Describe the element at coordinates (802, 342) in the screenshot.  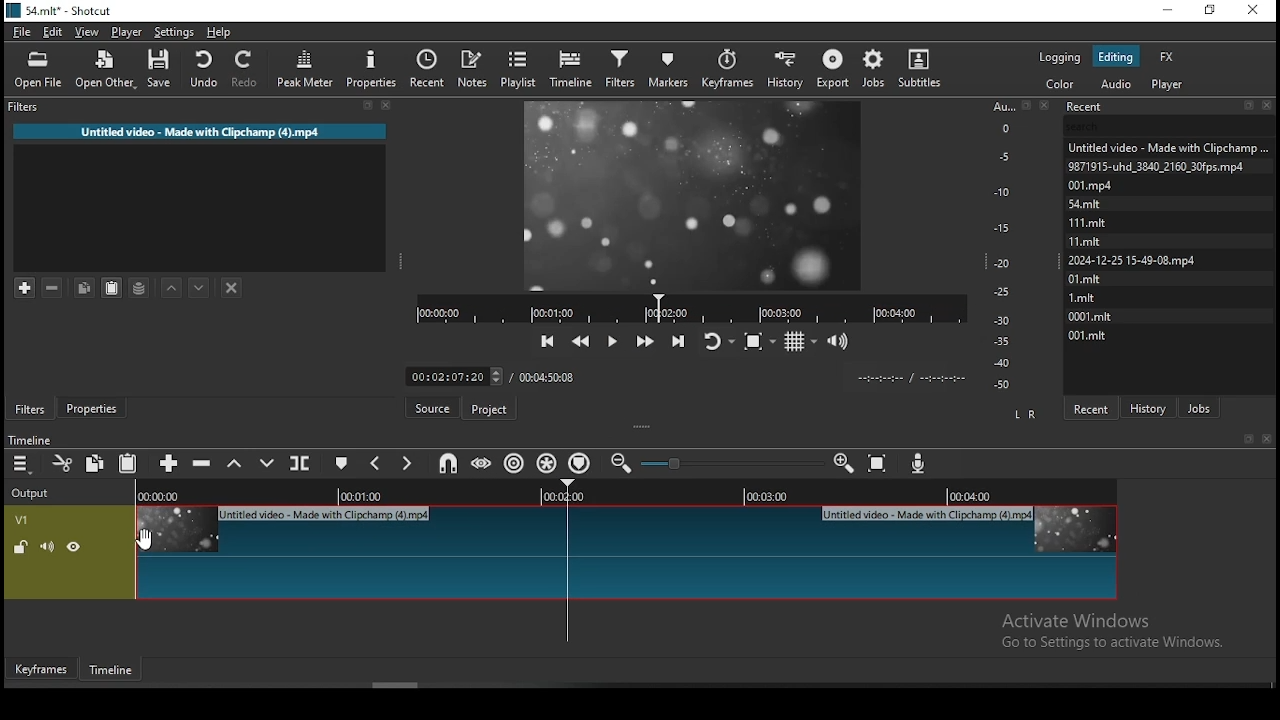
I see `toggle grid display on the player` at that location.